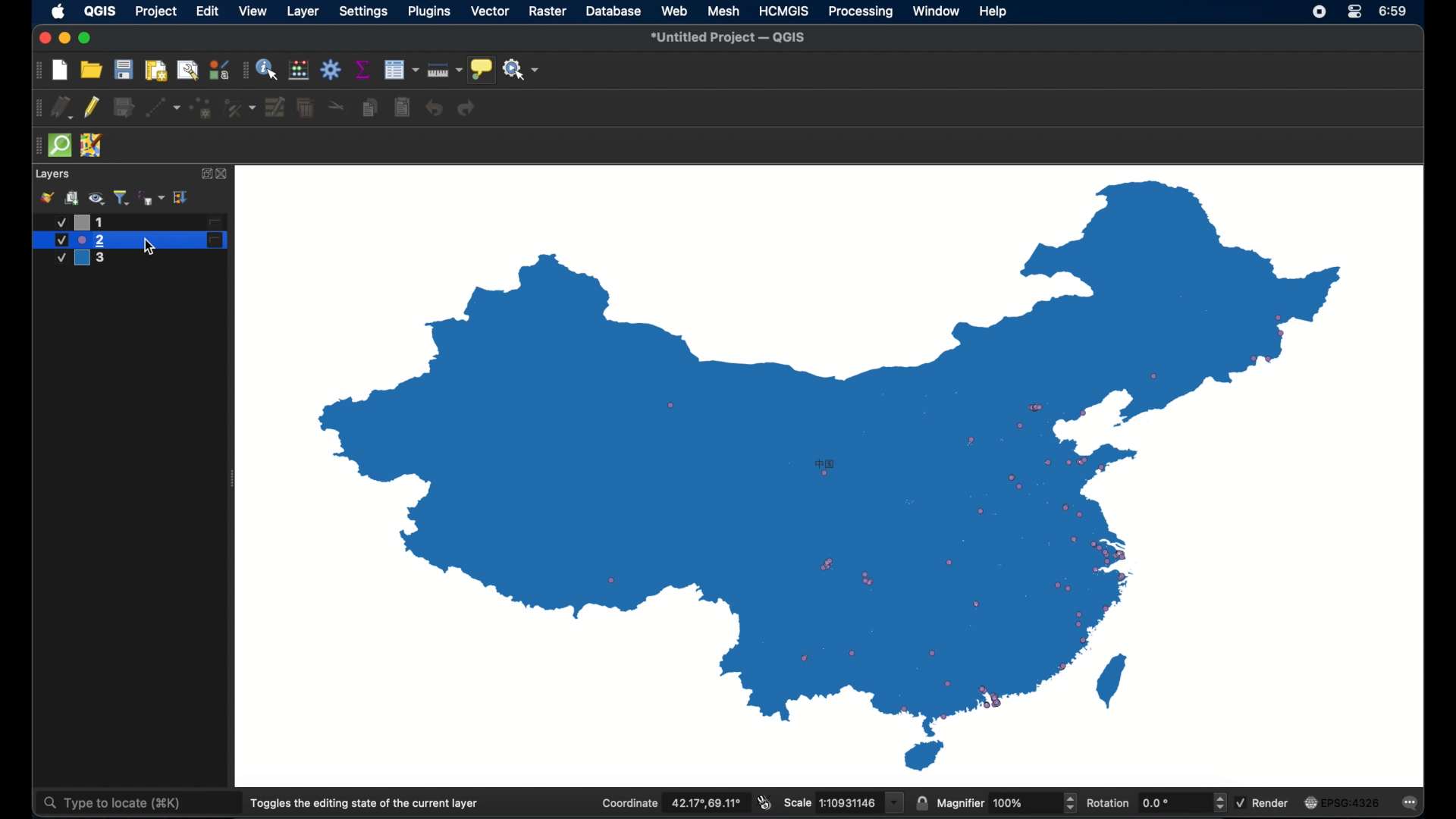 The image size is (1456, 819). What do you see at coordinates (403, 108) in the screenshot?
I see `paste features` at bounding box center [403, 108].